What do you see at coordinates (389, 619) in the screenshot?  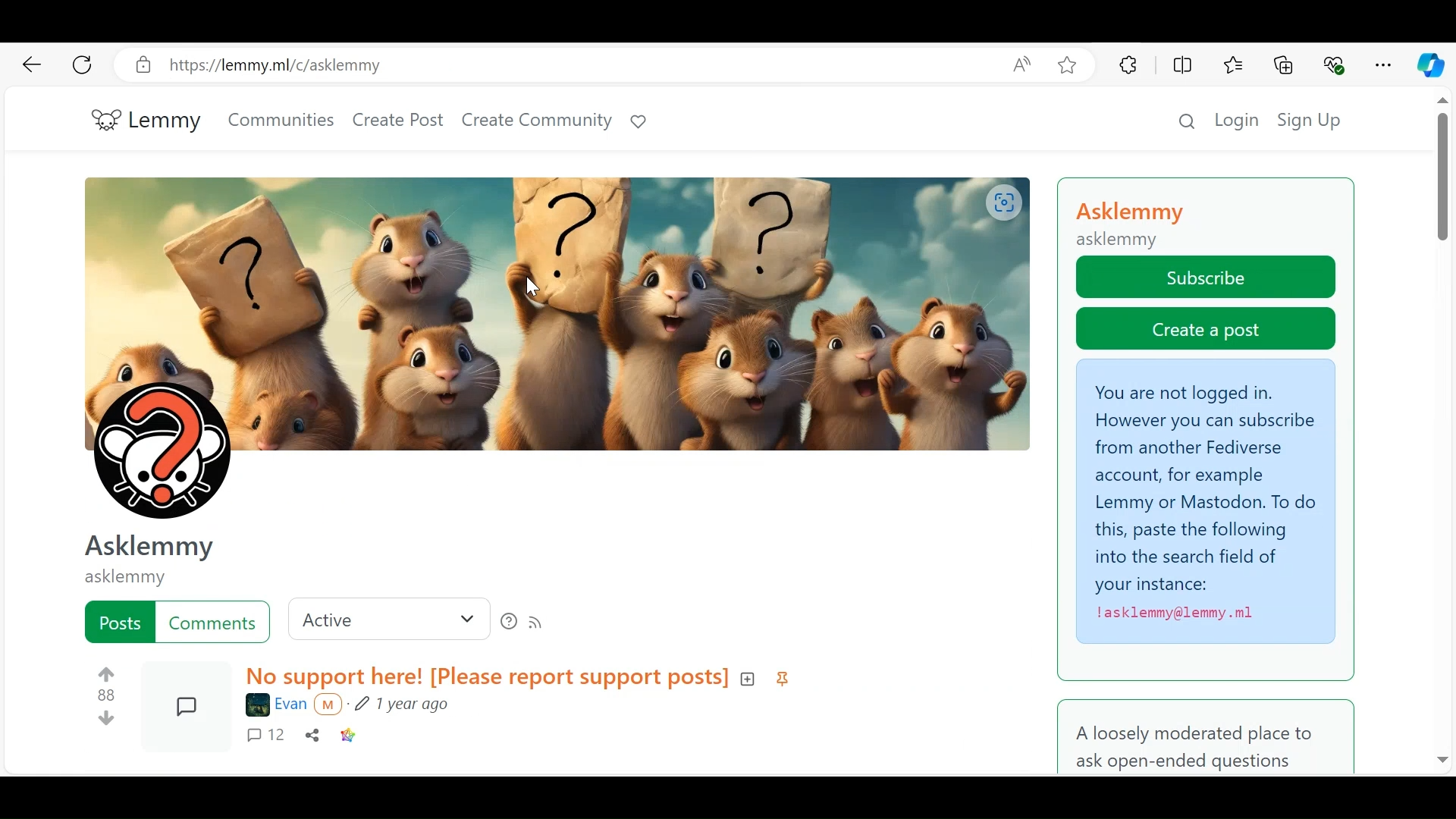 I see `Active` at bounding box center [389, 619].